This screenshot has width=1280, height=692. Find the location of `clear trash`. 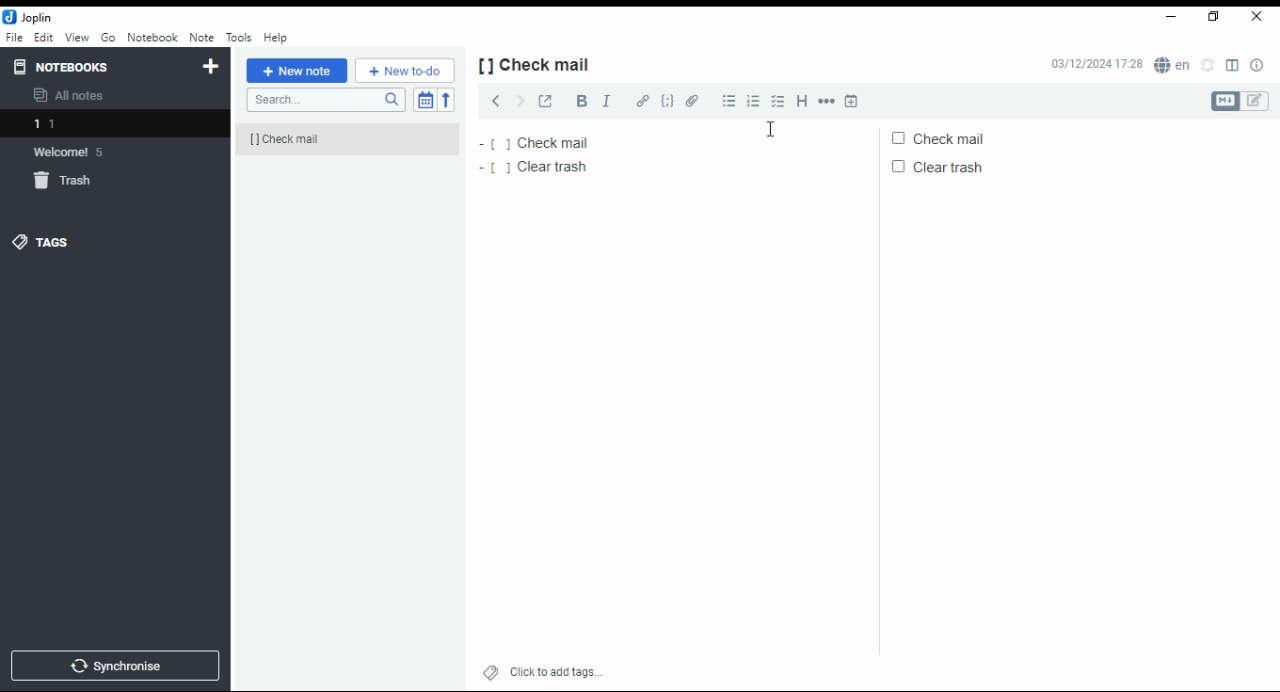

clear trash is located at coordinates (540, 170).